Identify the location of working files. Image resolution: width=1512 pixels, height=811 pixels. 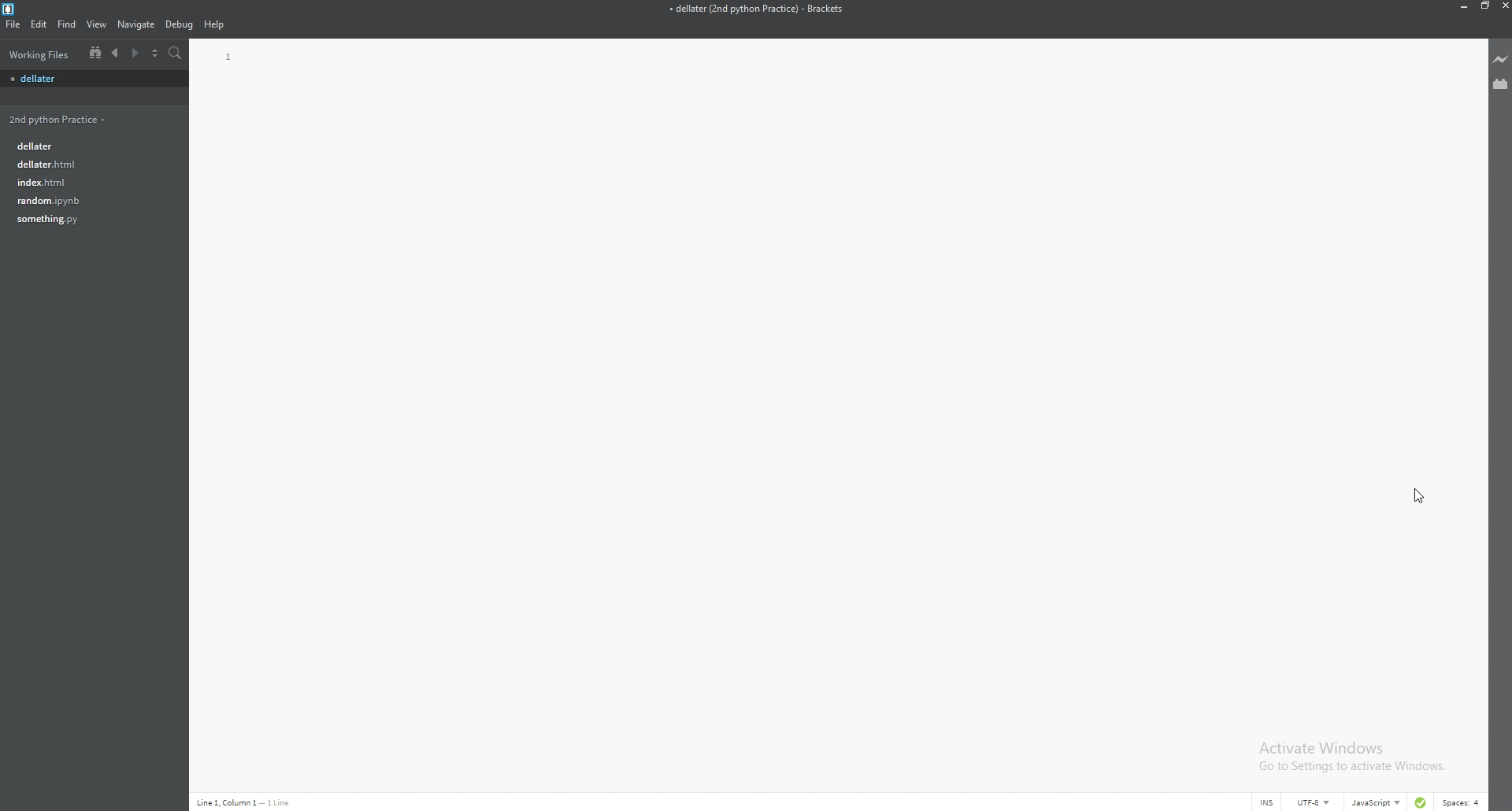
(40, 54).